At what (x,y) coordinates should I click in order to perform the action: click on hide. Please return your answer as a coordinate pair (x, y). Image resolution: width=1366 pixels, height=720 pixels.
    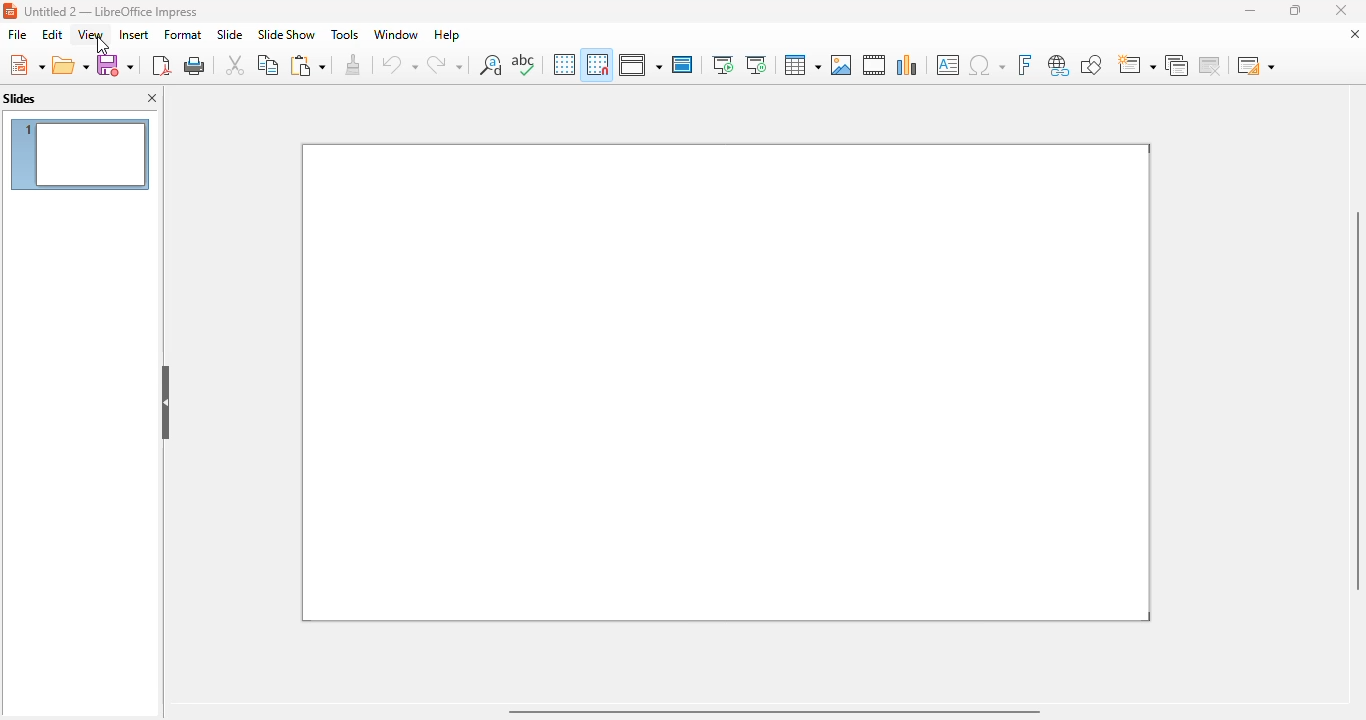
    Looking at the image, I should click on (166, 402).